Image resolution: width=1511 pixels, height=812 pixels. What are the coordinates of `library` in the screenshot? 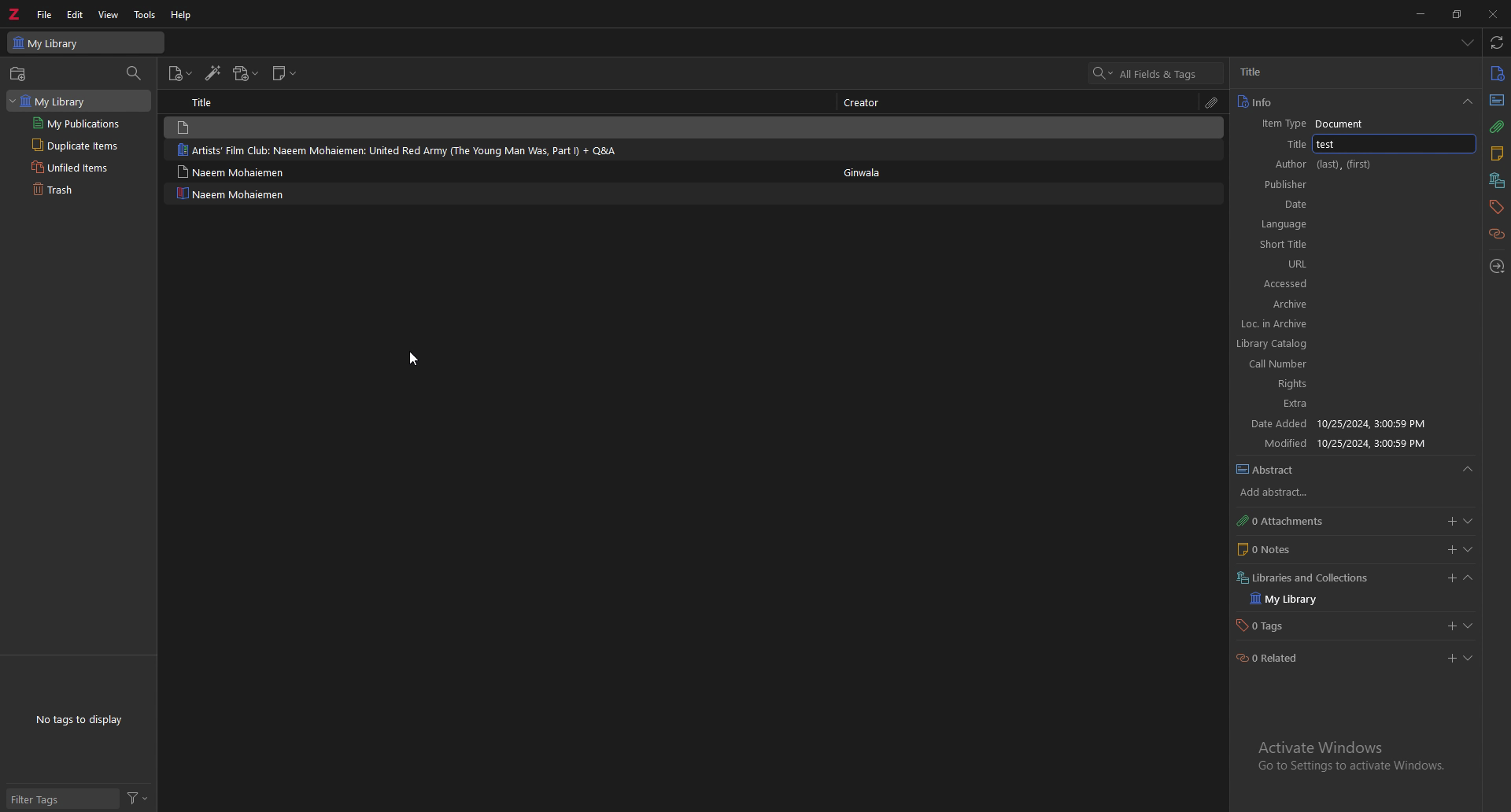 It's located at (57, 100).